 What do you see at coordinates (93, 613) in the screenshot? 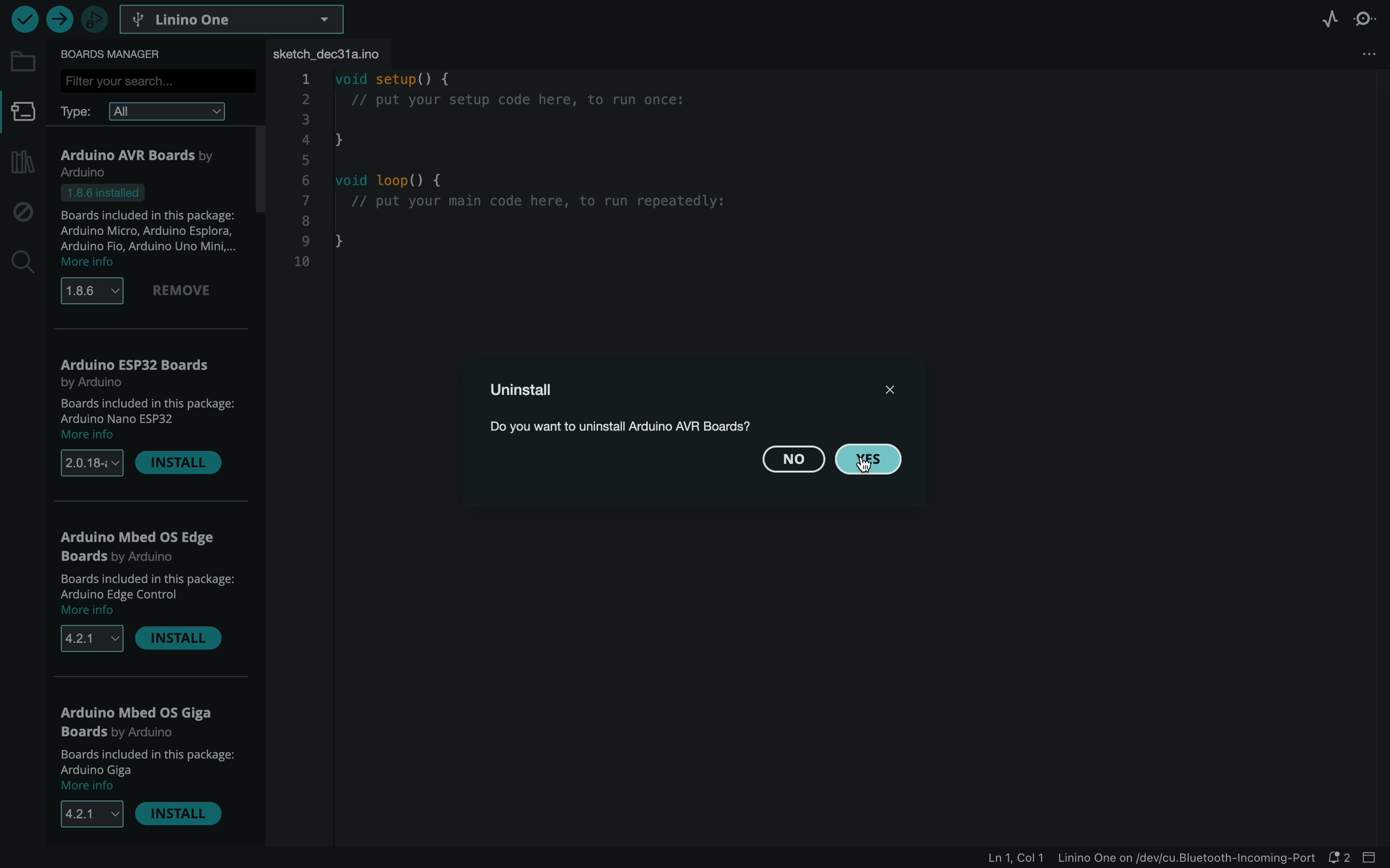
I see `more info` at bounding box center [93, 613].